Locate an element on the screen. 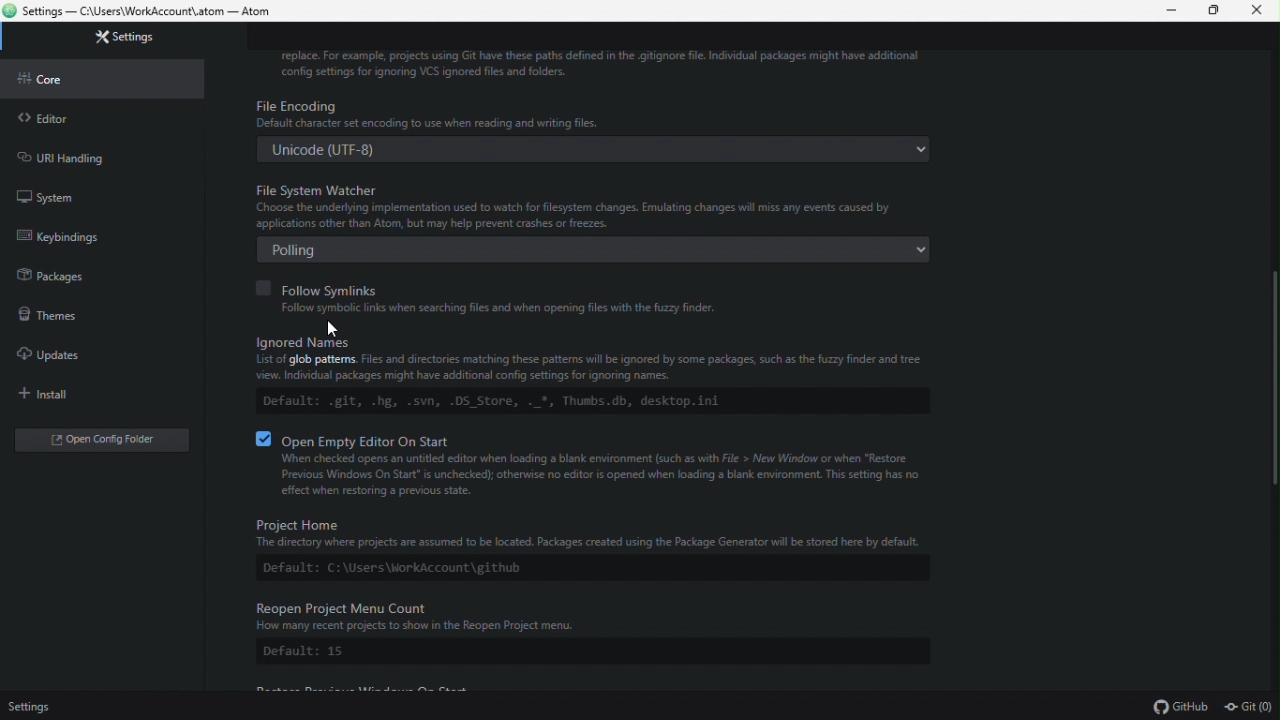 This screenshot has width=1280, height=720.  Follow symbolic inks when searching Slas and when opening files with the fuzzy finder. is located at coordinates (497, 308).